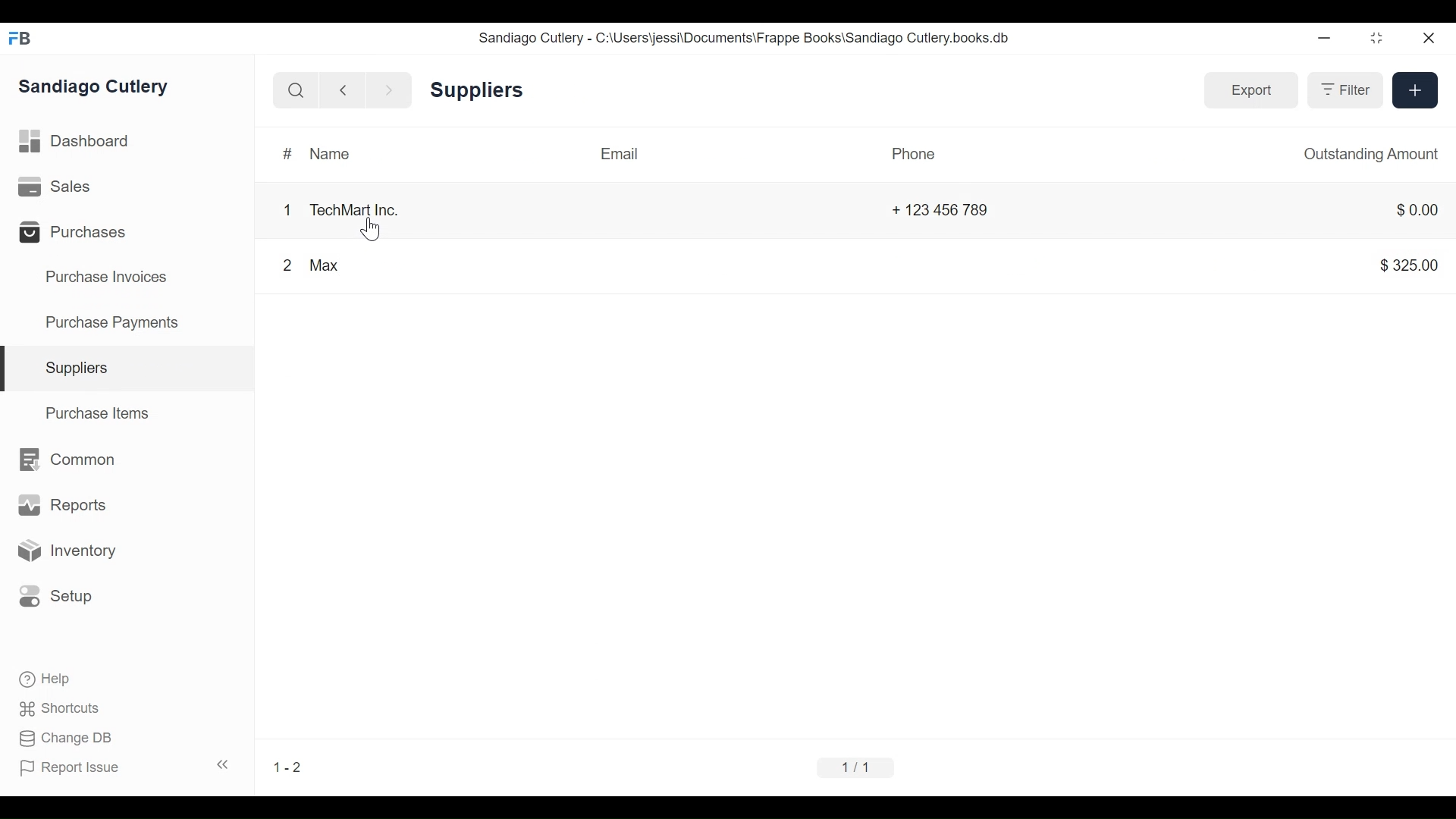  What do you see at coordinates (326, 270) in the screenshot?
I see `Max` at bounding box center [326, 270].